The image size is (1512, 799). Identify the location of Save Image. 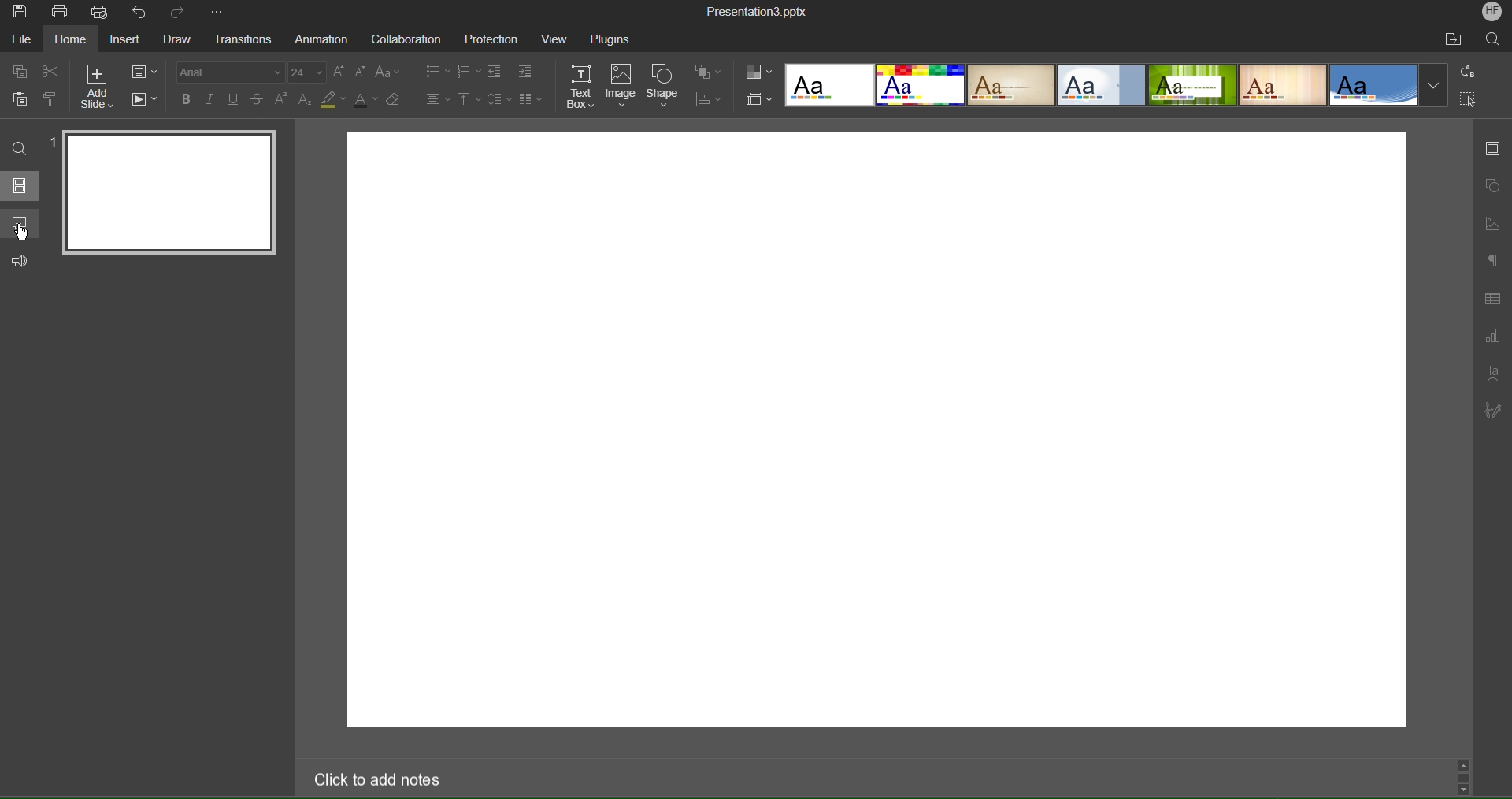
(20, 13).